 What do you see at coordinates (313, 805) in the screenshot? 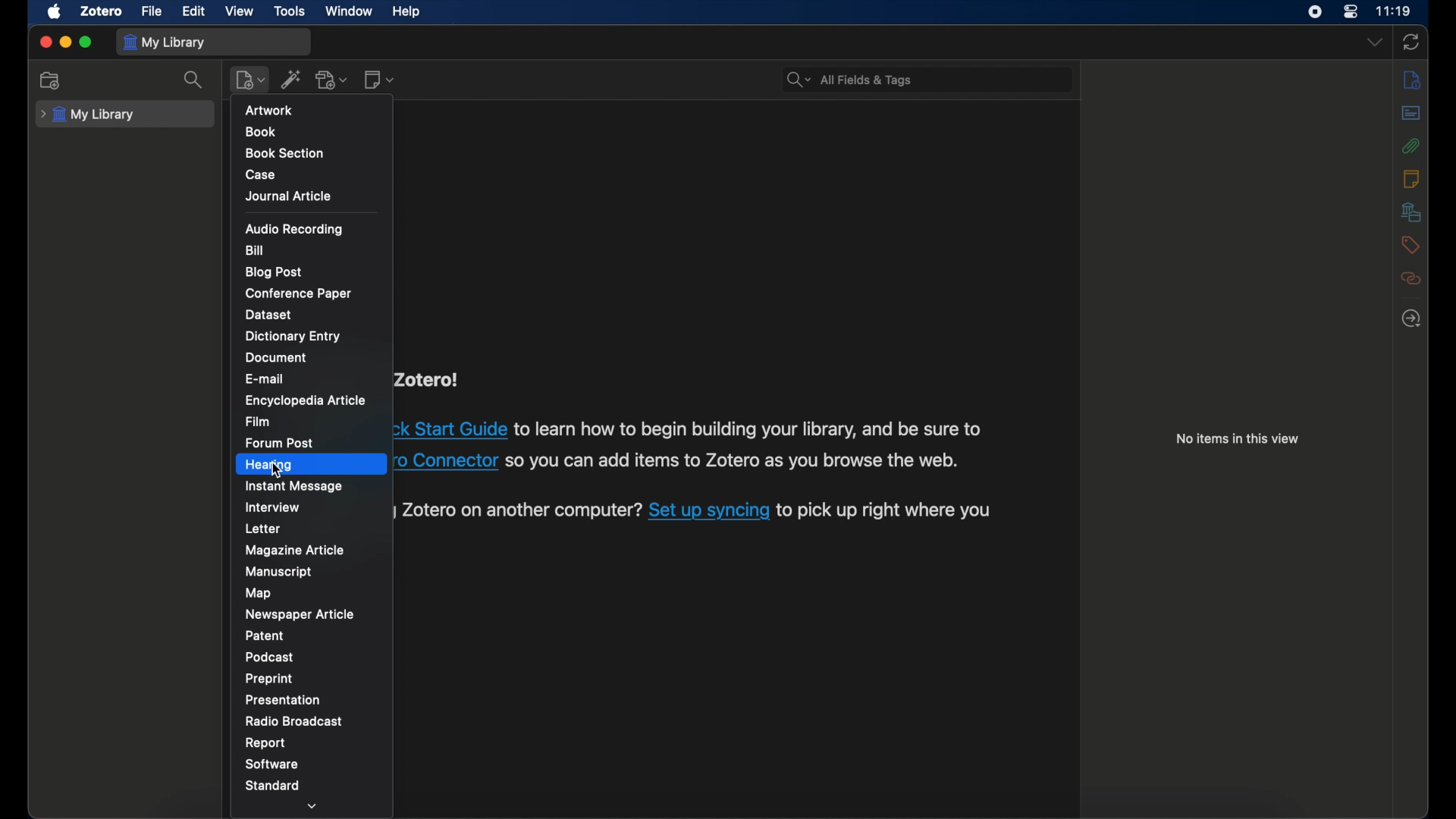
I see `dropdown` at bounding box center [313, 805].